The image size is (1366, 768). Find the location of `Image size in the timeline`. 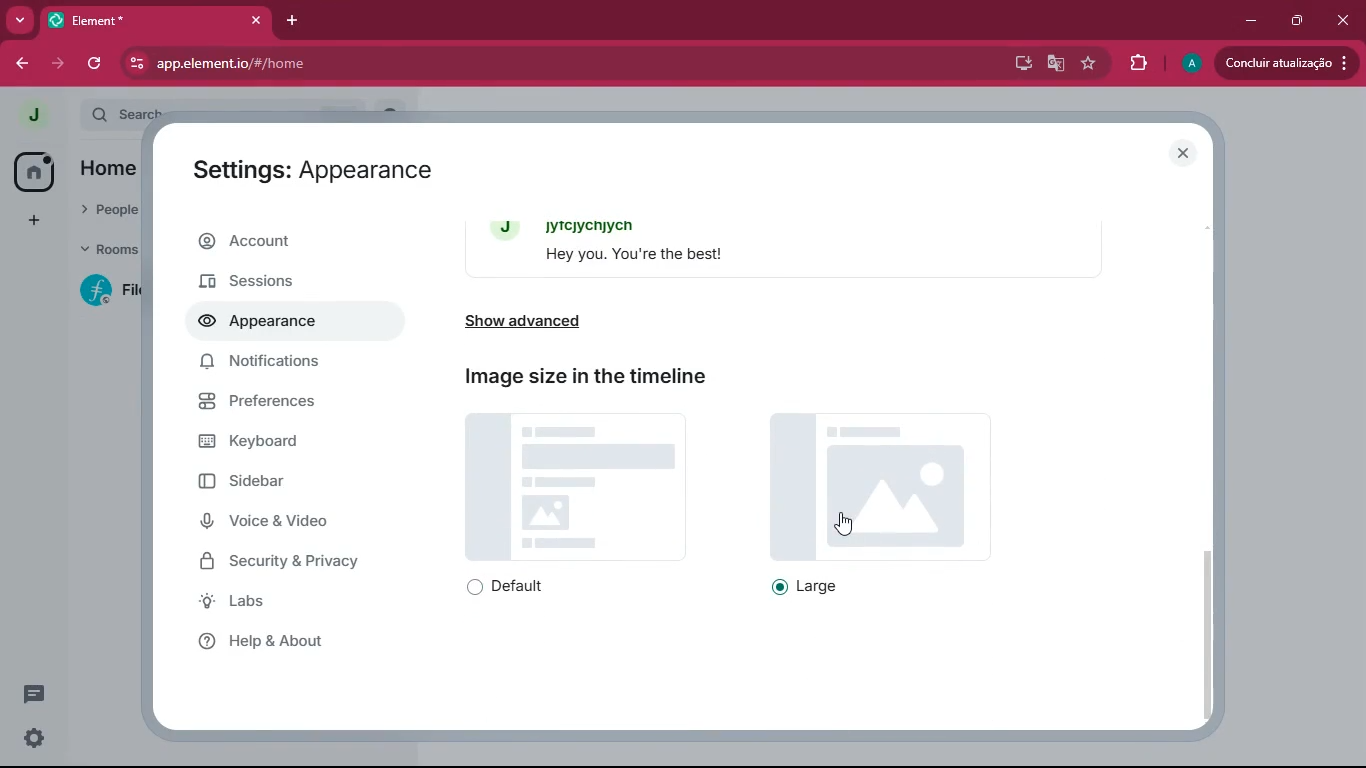

Image size in the timeline is located at coordinates (588, 376).